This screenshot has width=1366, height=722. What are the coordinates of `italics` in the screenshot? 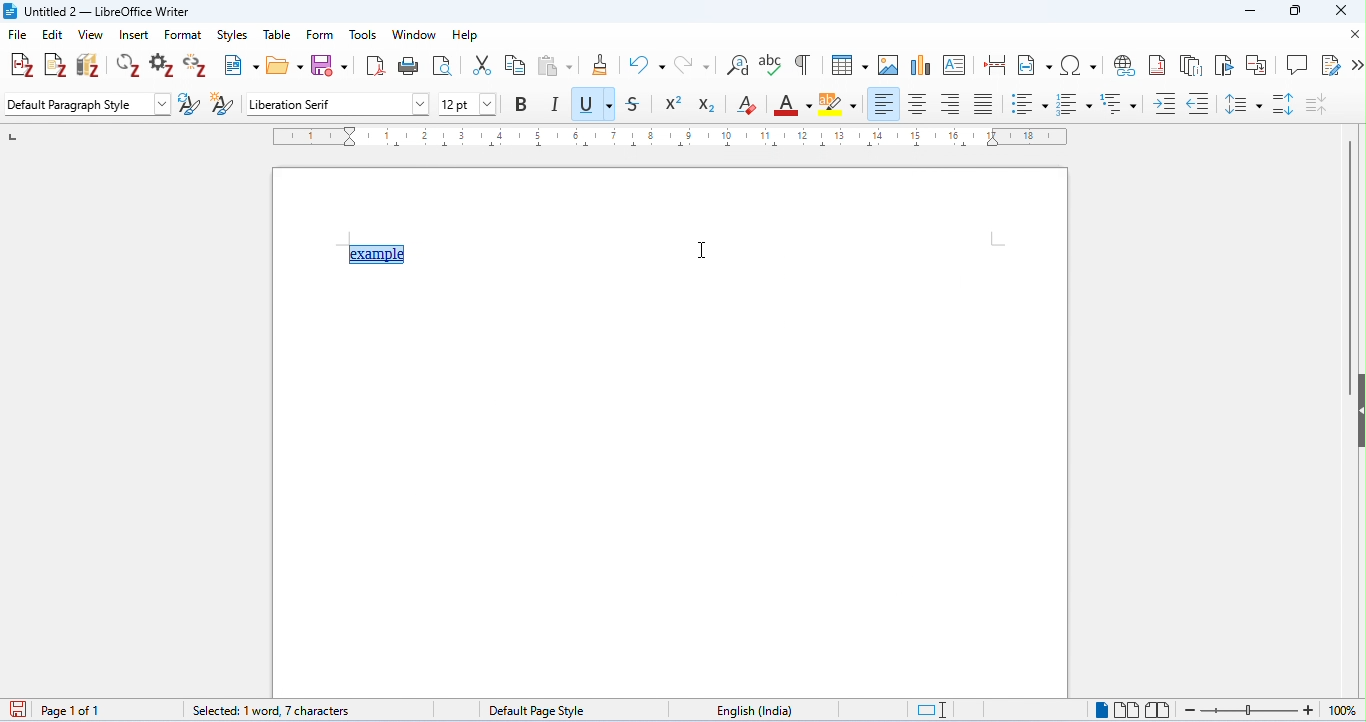 It's located at (557, 104).